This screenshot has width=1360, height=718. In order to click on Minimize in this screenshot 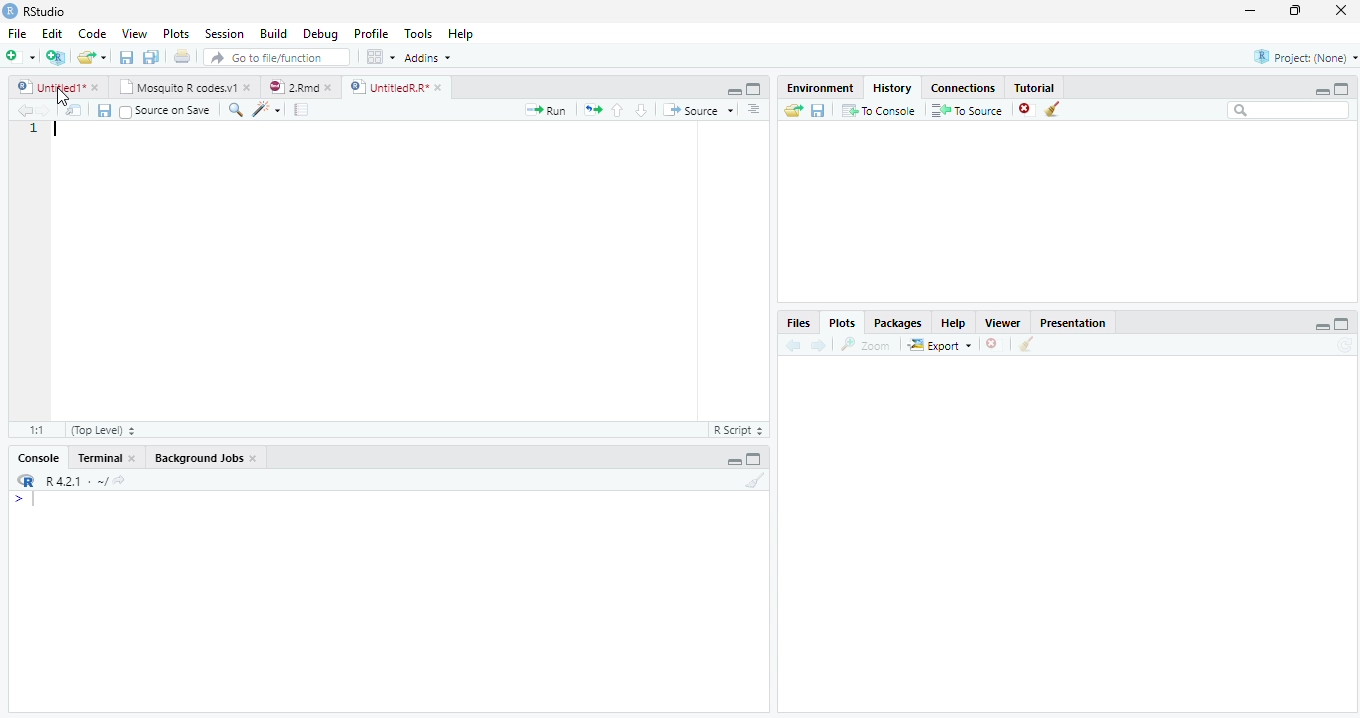, I will do `click(734, 461)`.